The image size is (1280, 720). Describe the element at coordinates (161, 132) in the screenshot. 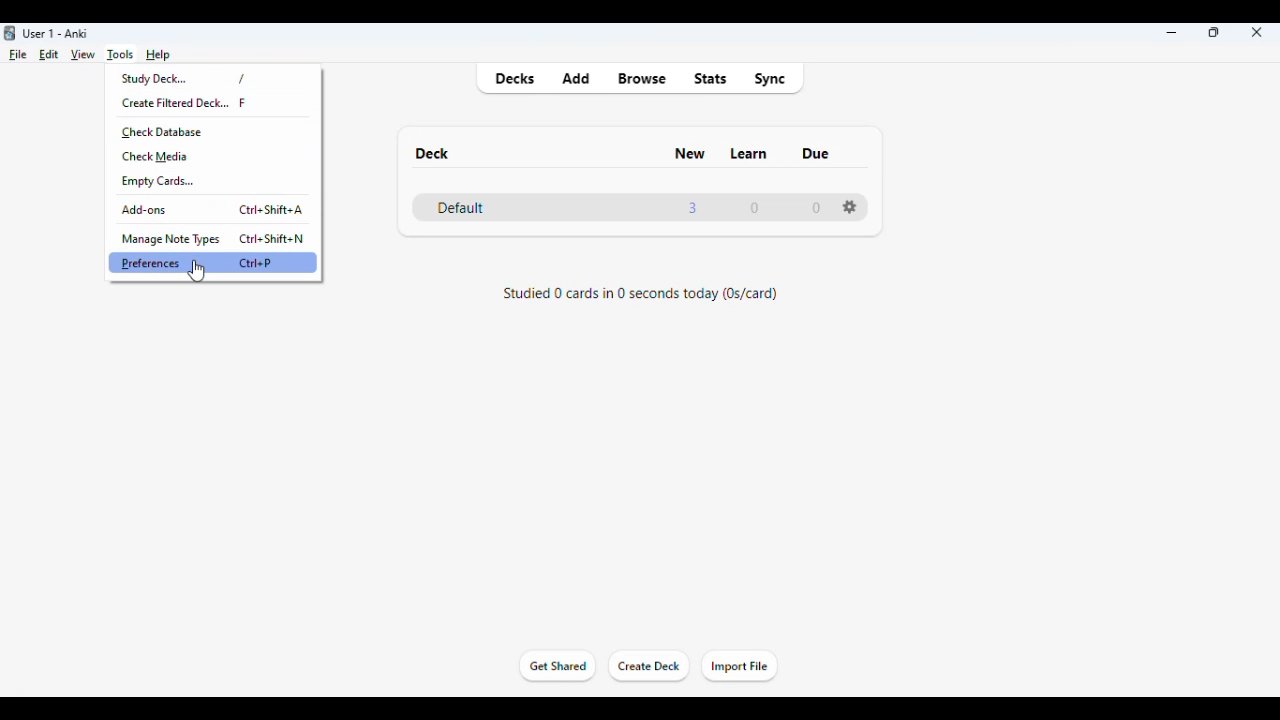

I see `check database` at that location.